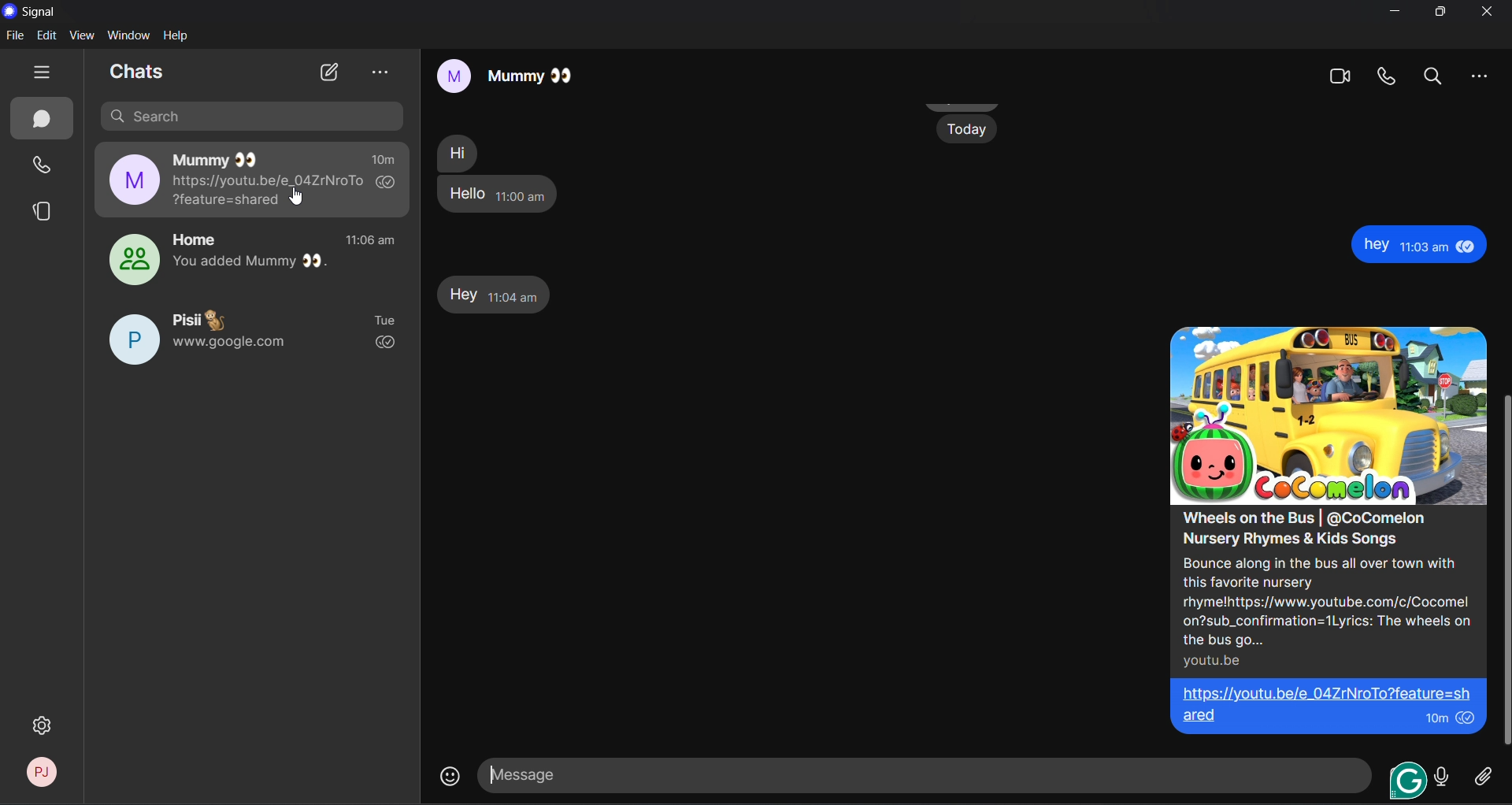 This screenshot has width=1512, height=805. Describe the element at coordinates (176, 36) in the screenshot. I see `help` at that location.